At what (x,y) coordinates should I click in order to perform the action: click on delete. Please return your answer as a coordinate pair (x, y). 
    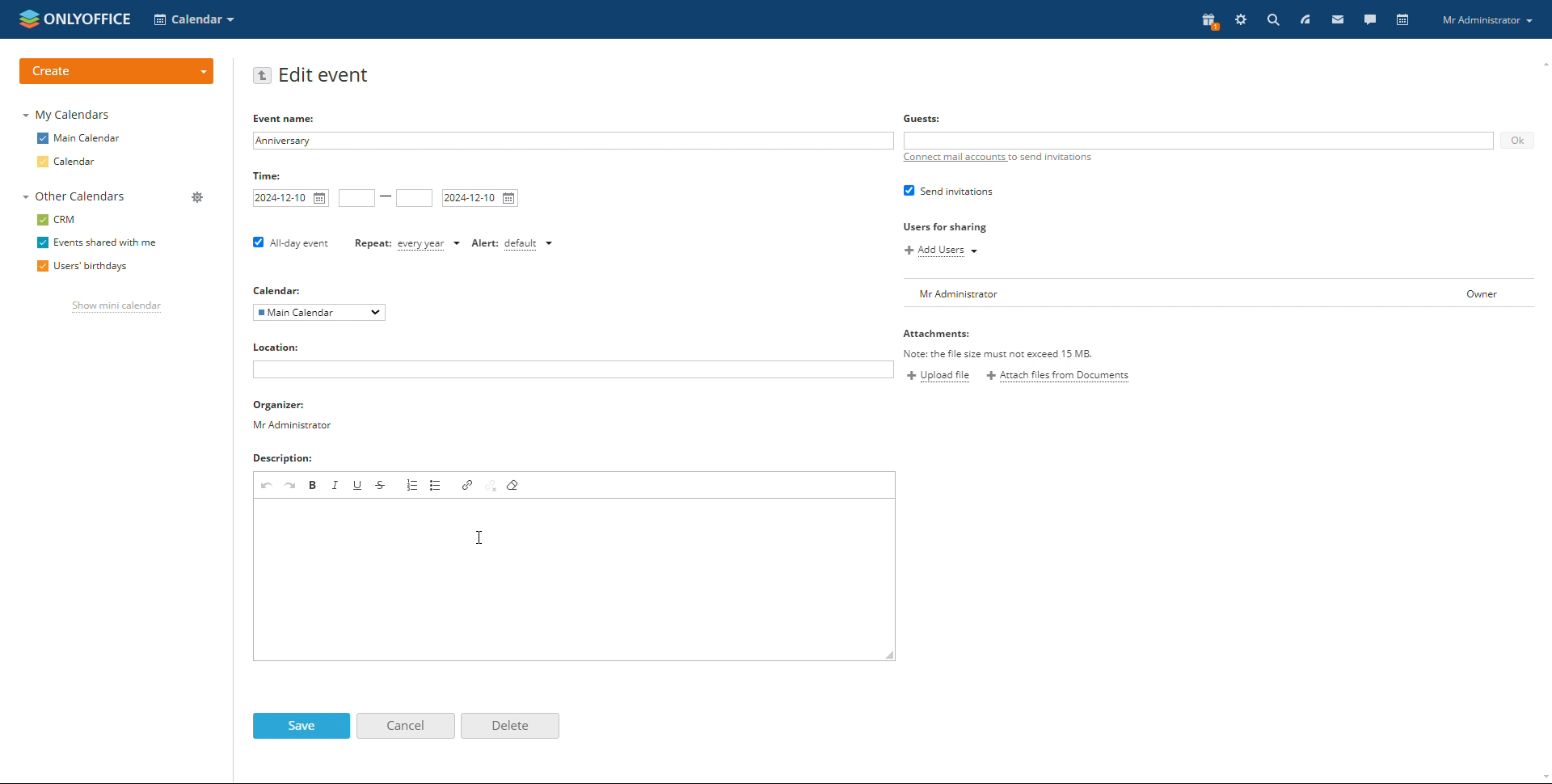
    Looking at the image, I should click on (508, 727).